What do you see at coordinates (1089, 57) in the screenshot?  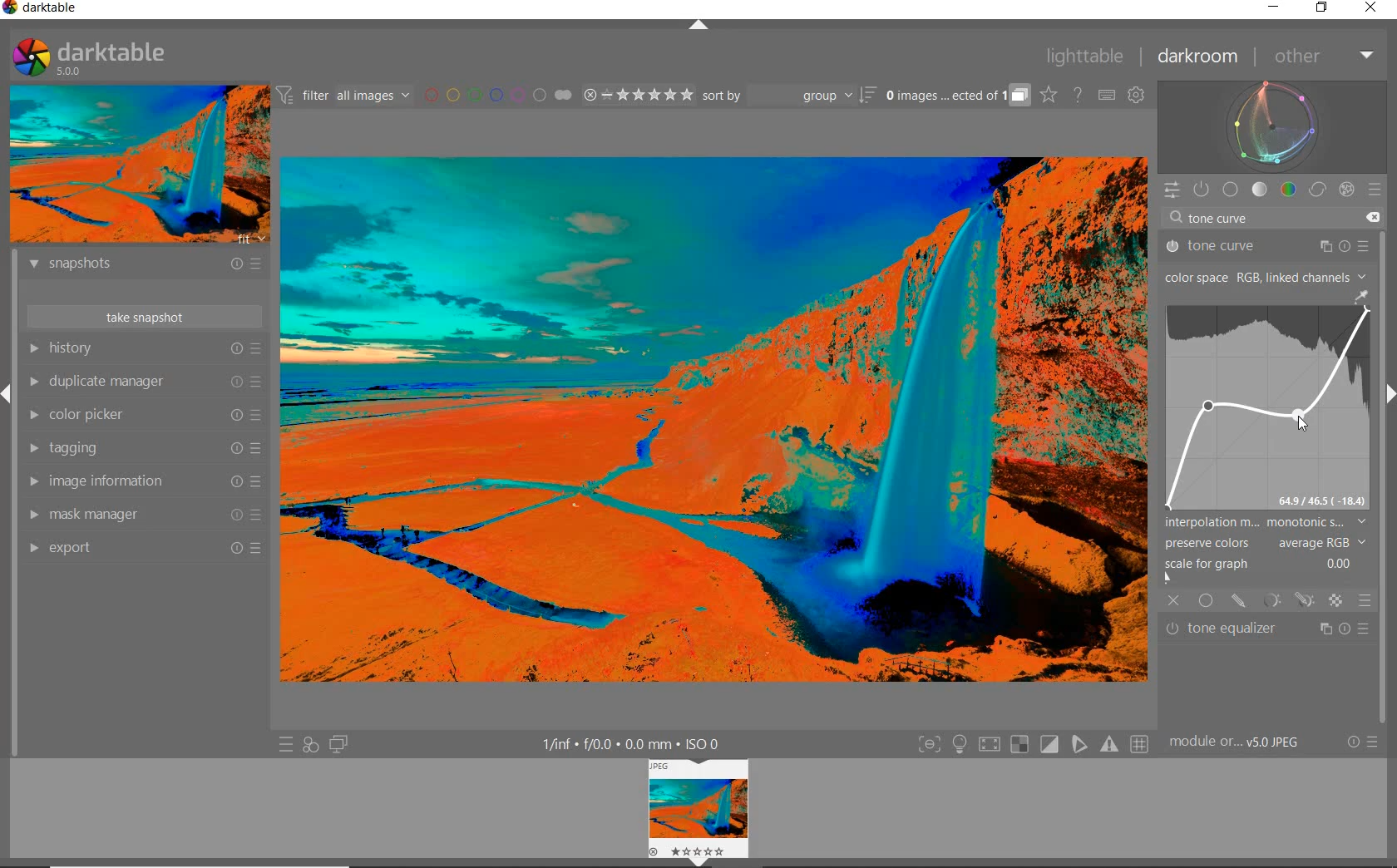 I see `lighttable` at bounding box center [1089, 57].